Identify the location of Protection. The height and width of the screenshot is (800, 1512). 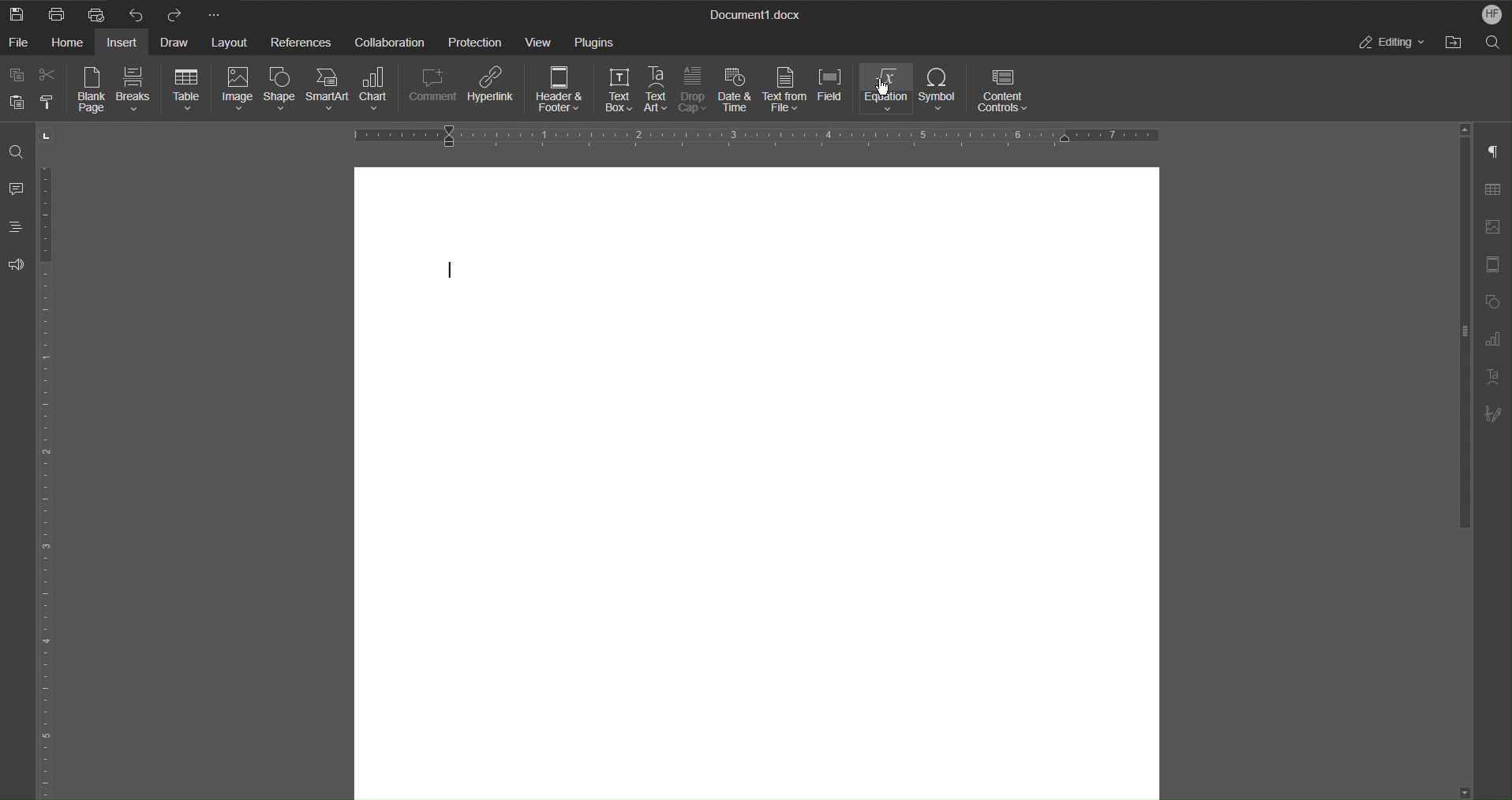
(478, 41).